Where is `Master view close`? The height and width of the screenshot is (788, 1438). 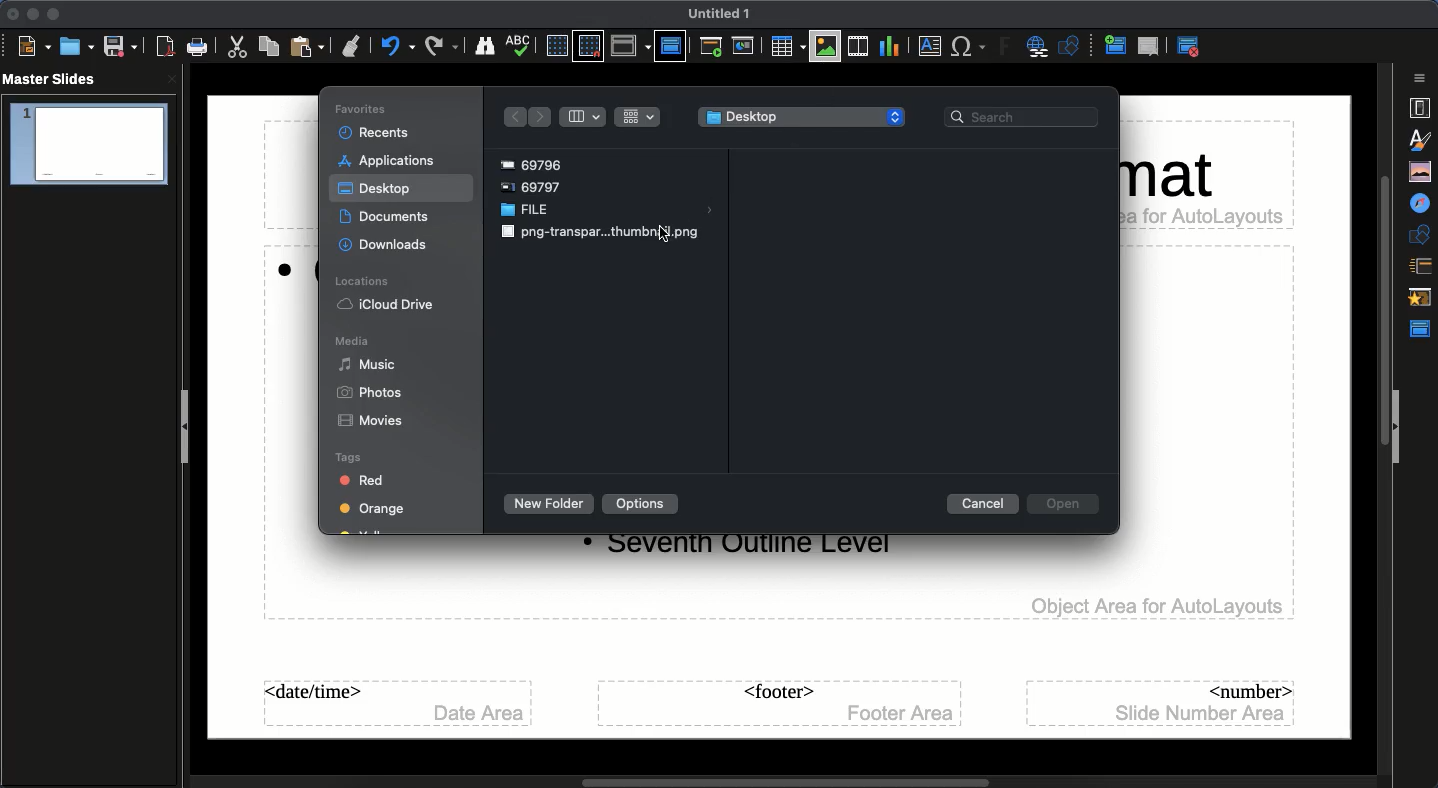 Master view close is located at coordinates (1192, 46).